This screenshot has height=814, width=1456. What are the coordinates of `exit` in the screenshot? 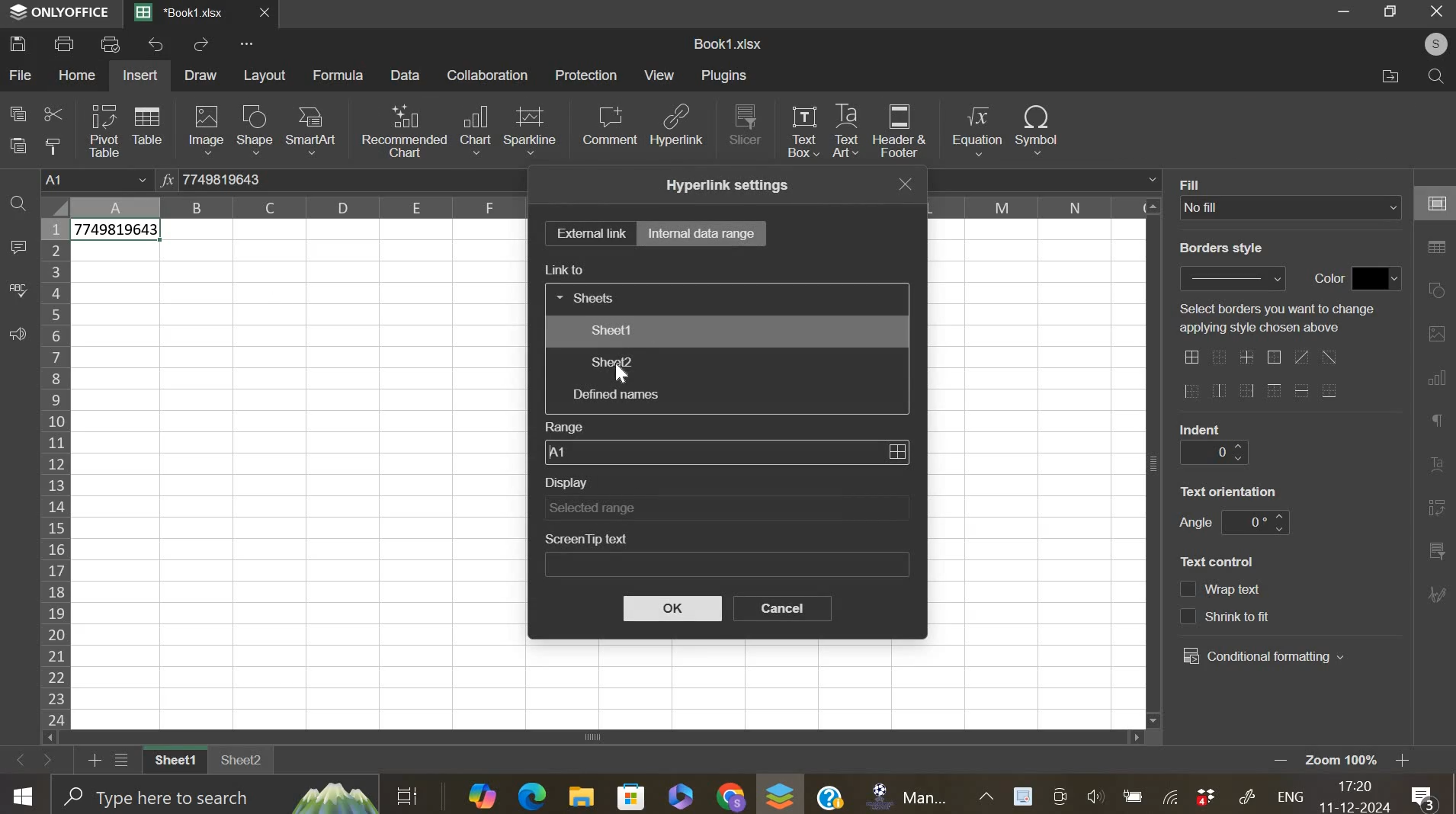 It's located at (909, 184).